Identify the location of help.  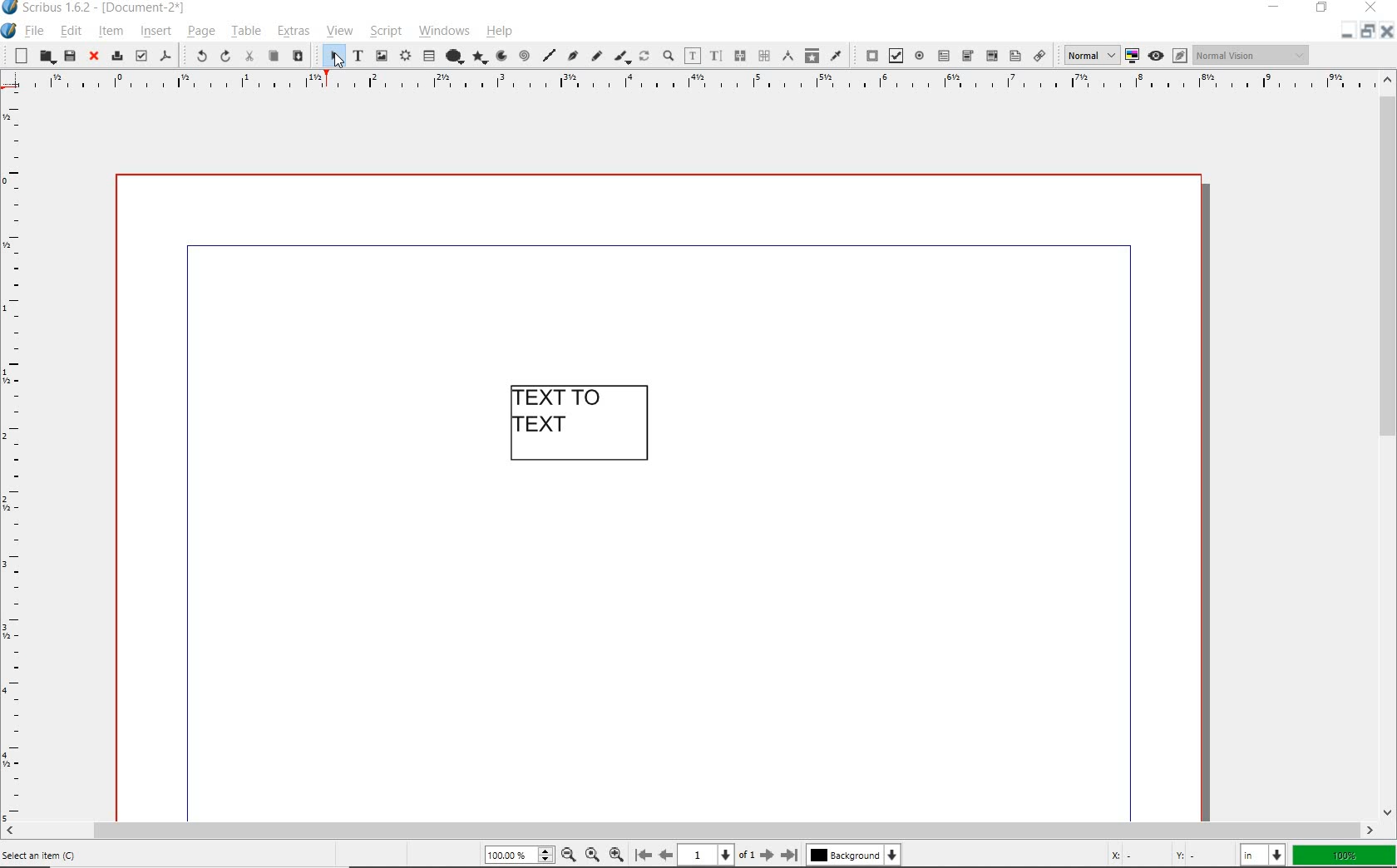
(499, 33).